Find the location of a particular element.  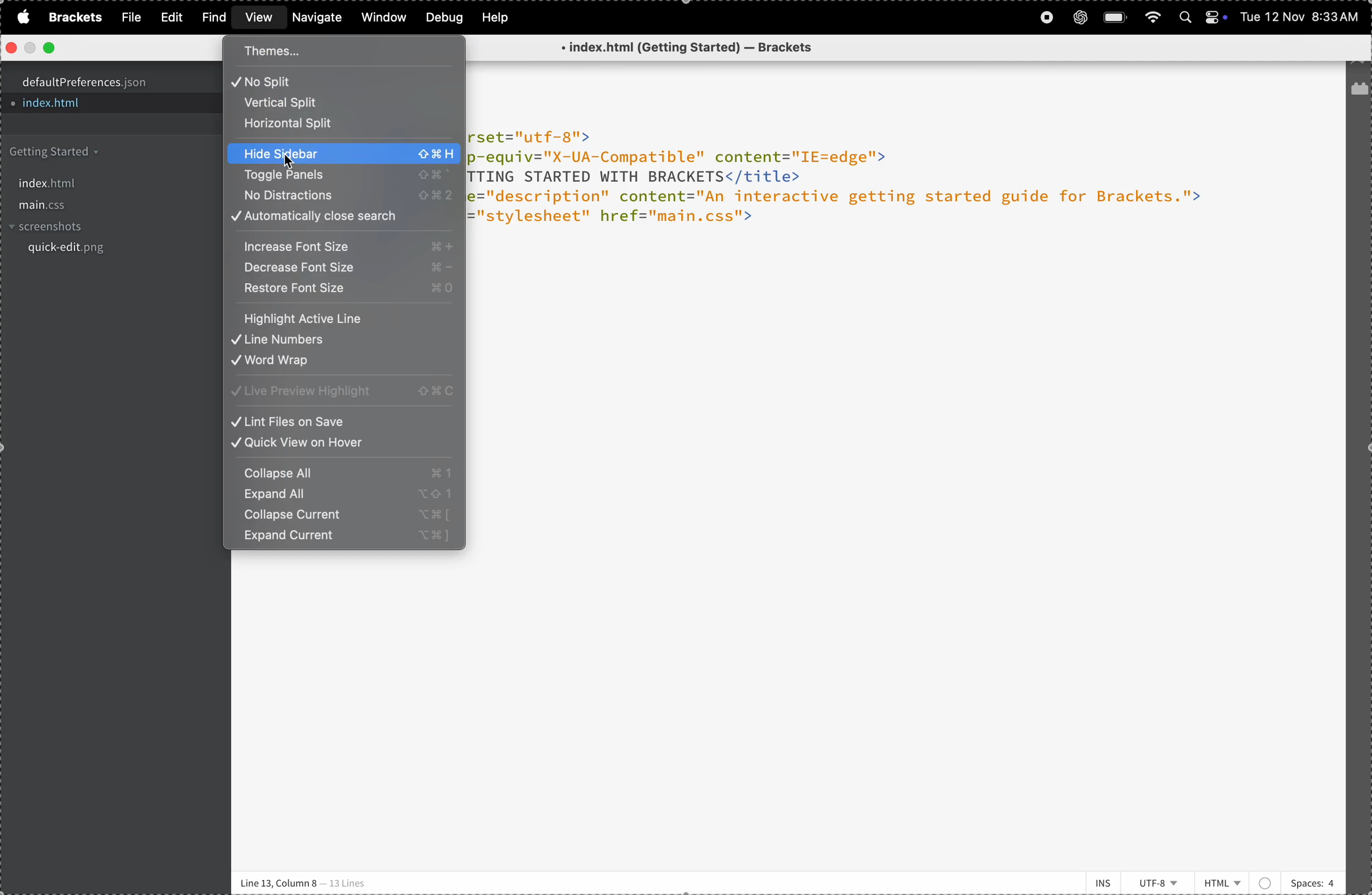

edit is located at coordinates (168, 17).